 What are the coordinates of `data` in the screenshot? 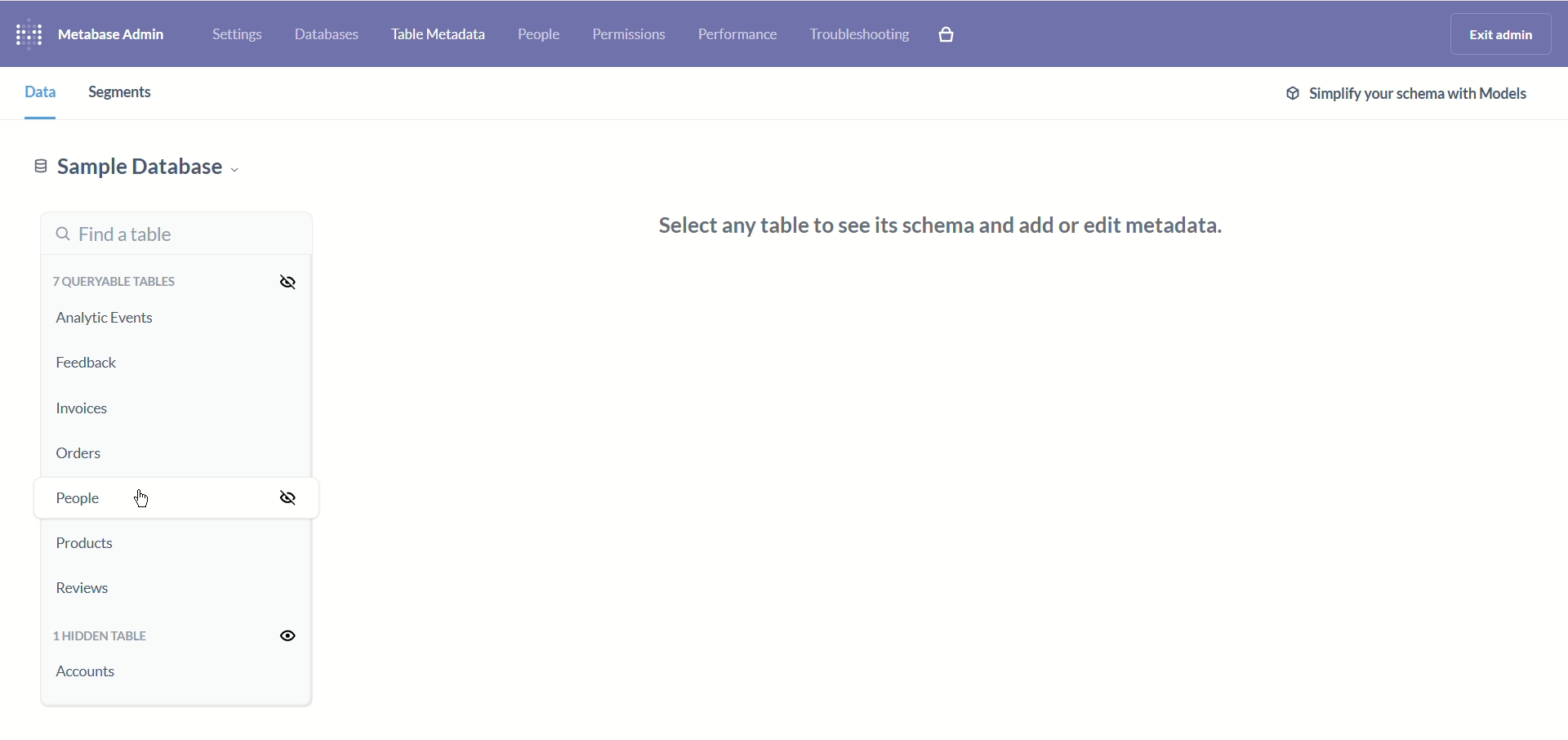 It's located at (33, 91).